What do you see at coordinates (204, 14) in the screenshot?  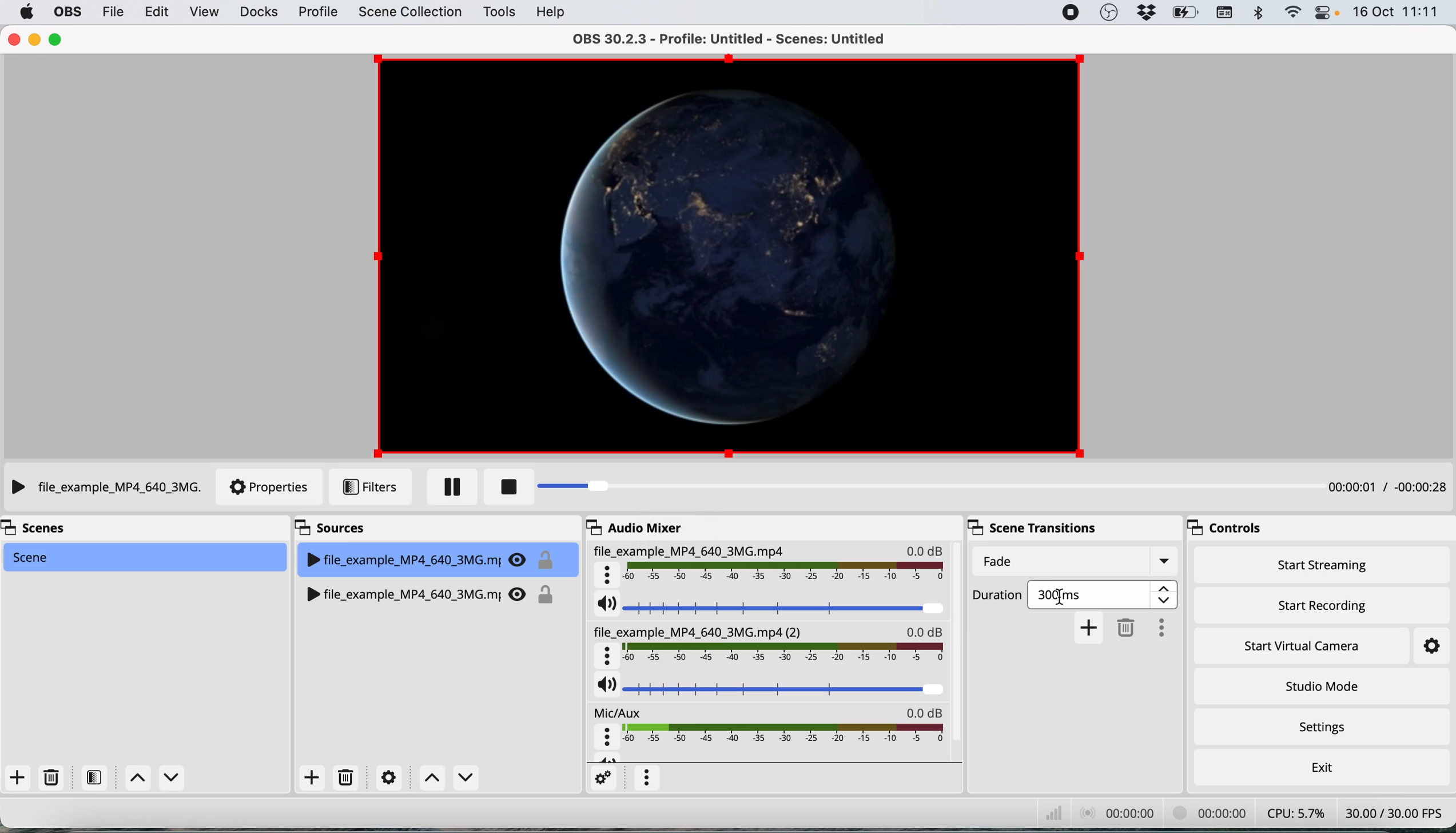 I see `view` at bounding box center [204, 14].